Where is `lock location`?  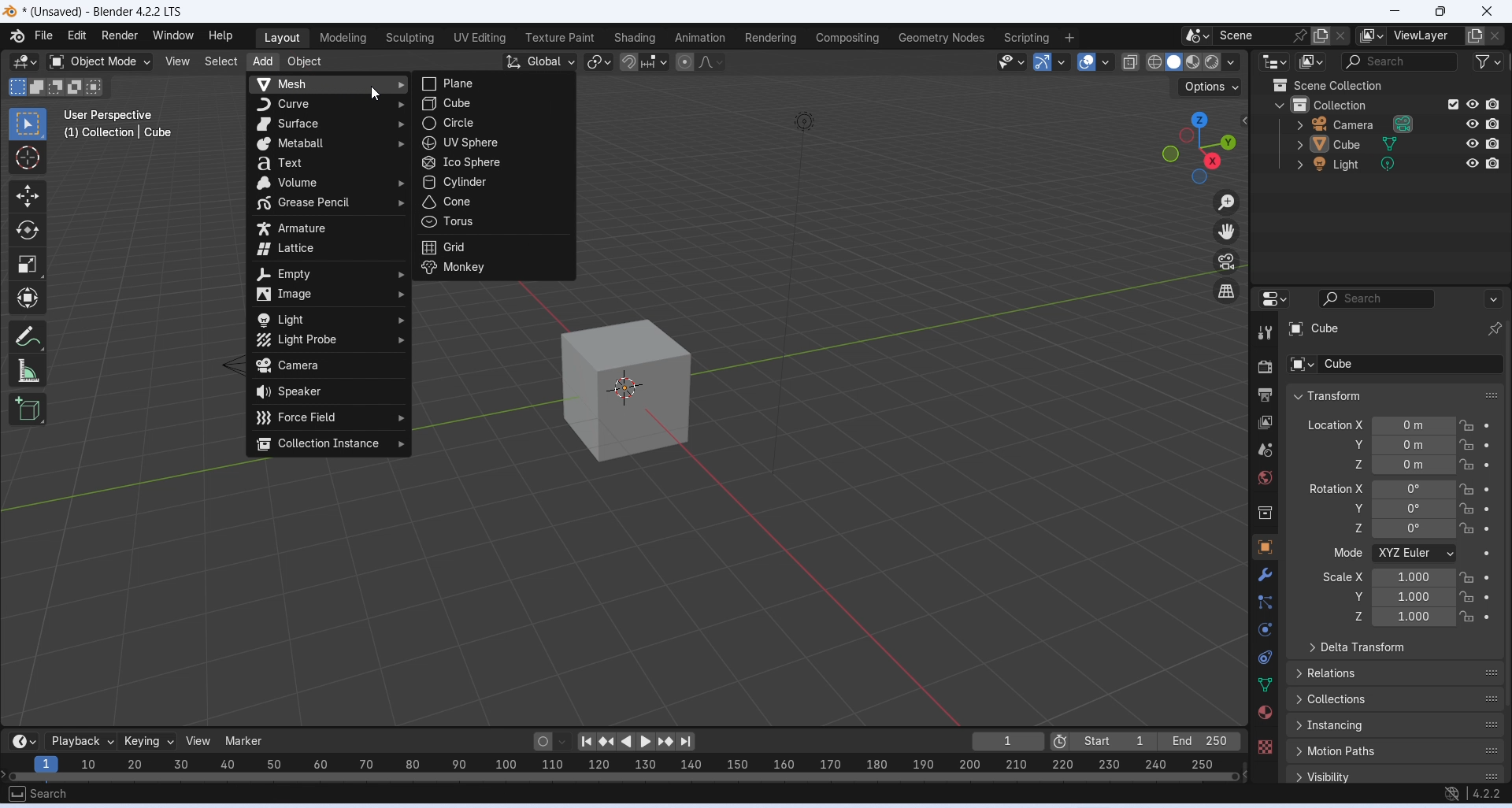
lock location is located at coordinates (1468, 426).